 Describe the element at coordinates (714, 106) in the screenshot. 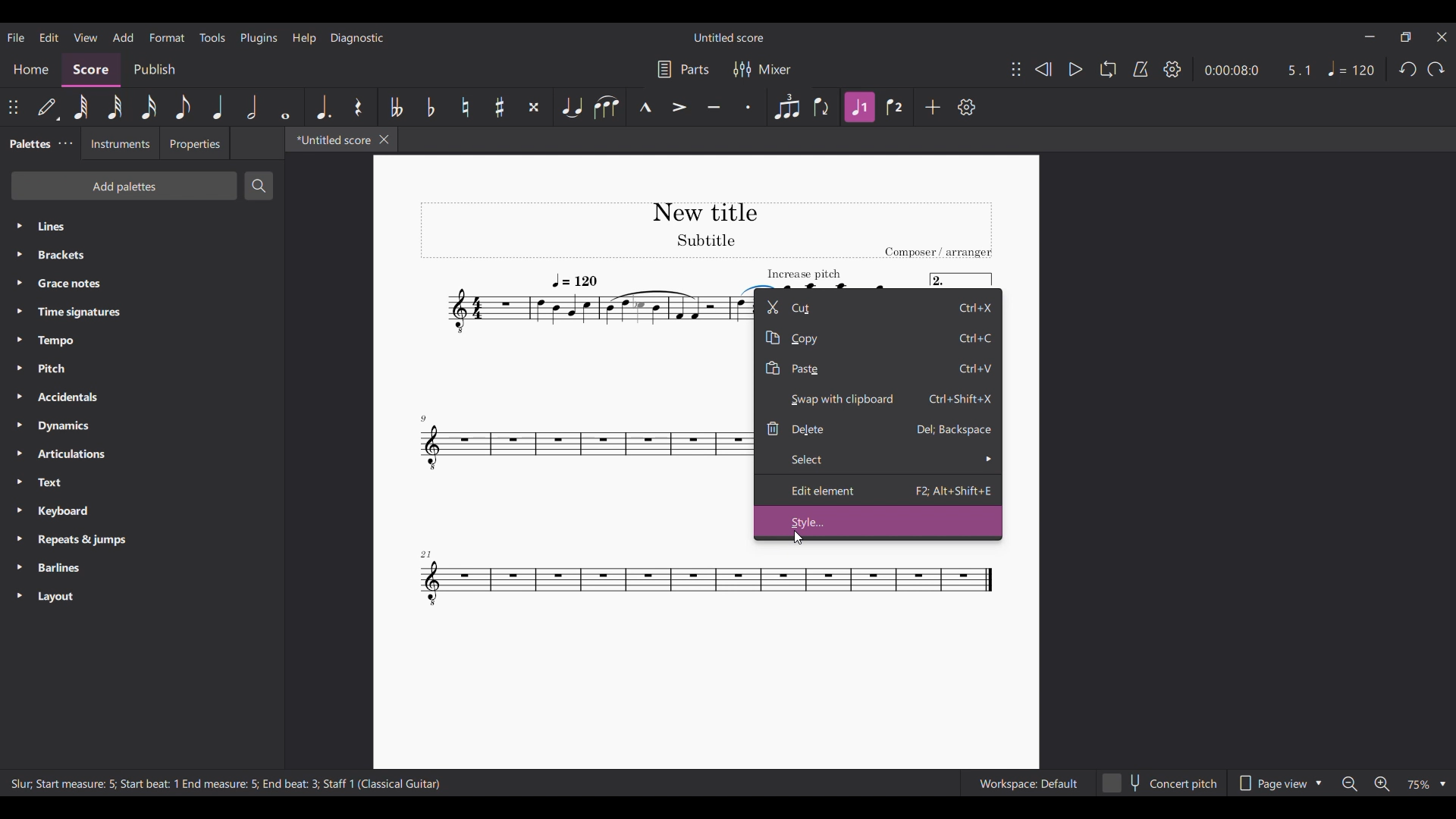

I see `Tenuto` at that location.